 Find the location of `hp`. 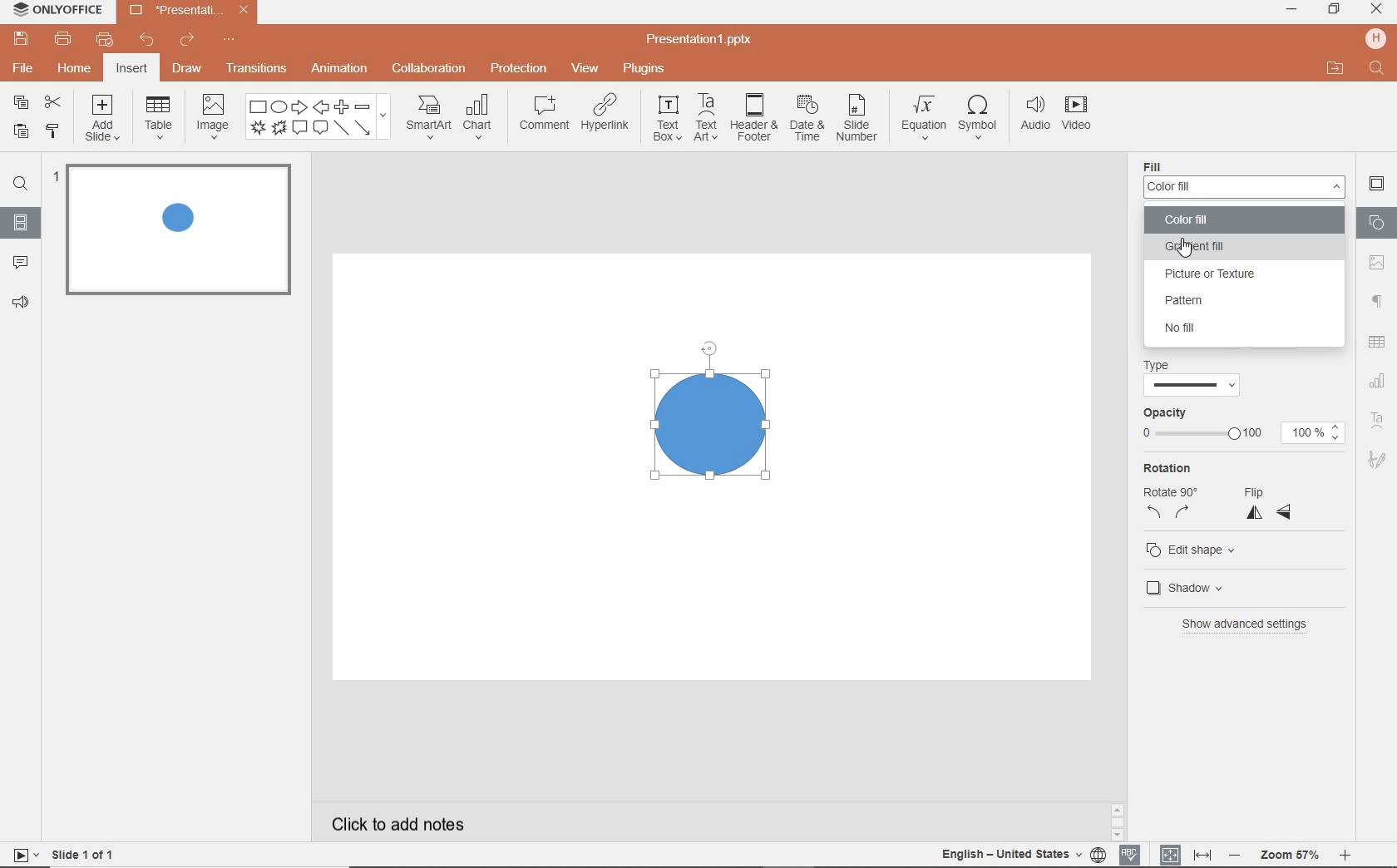

hp is located at coordinates (1374, 38).